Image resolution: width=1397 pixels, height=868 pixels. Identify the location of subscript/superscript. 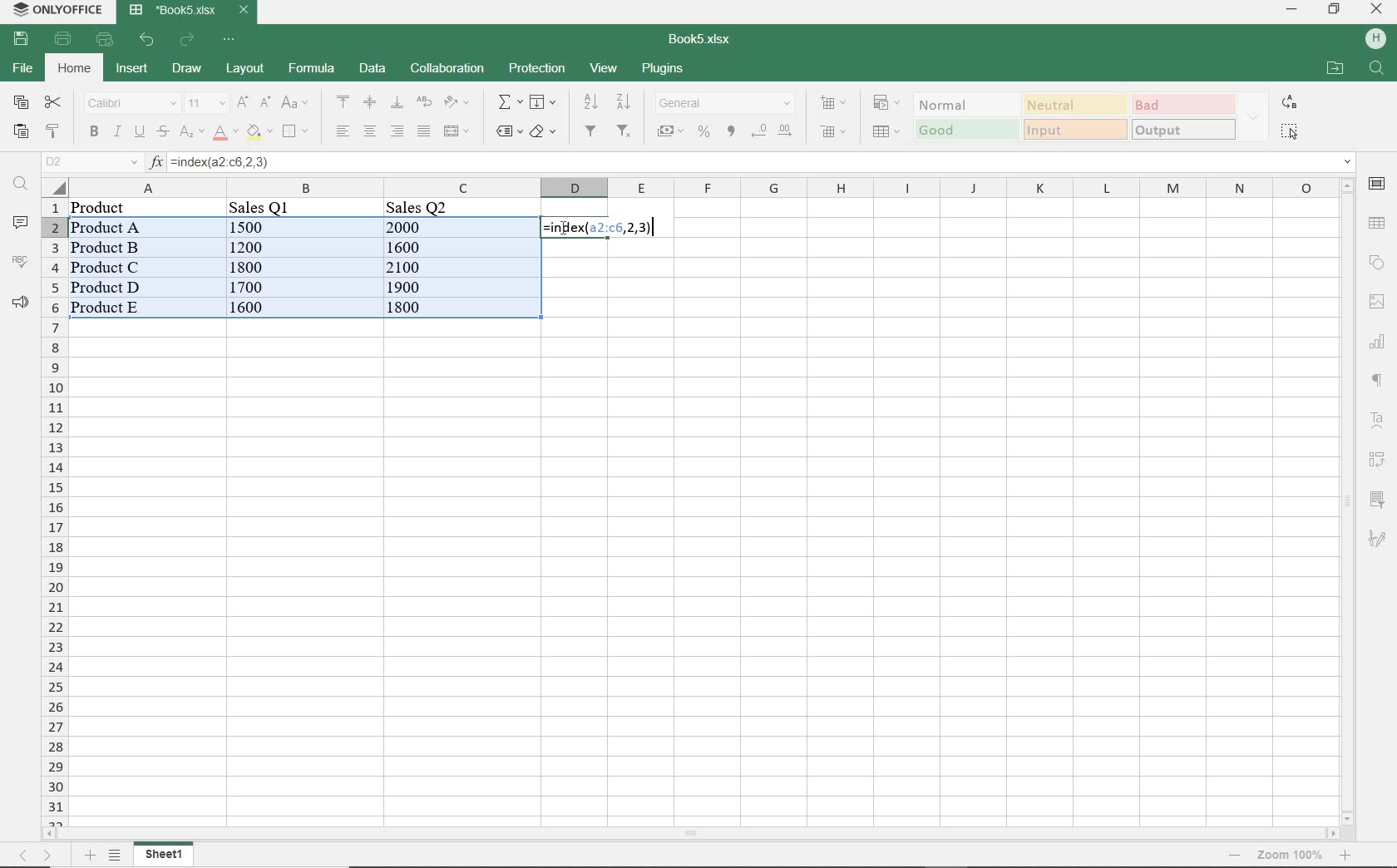
(190, 133).